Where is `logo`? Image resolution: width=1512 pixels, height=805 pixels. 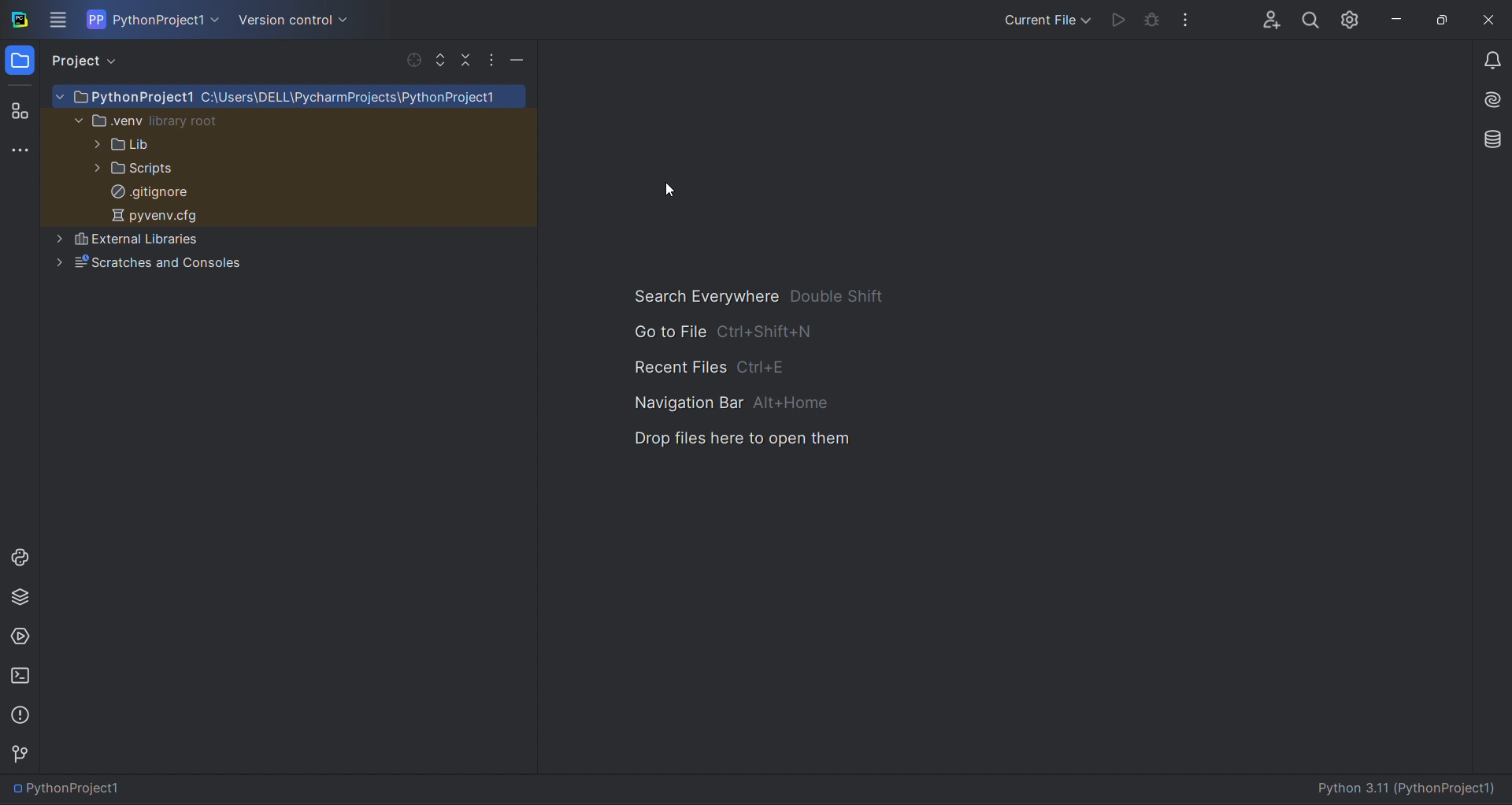
logo is located at coordinates (19, 19).